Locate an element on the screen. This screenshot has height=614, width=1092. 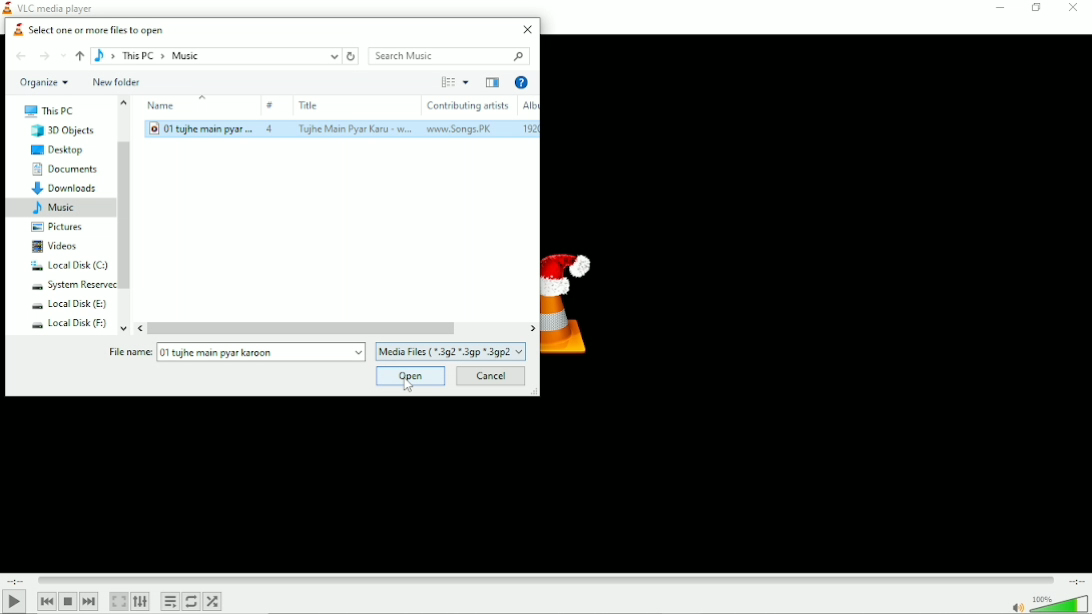
Album is located at coordinates (529, 106).